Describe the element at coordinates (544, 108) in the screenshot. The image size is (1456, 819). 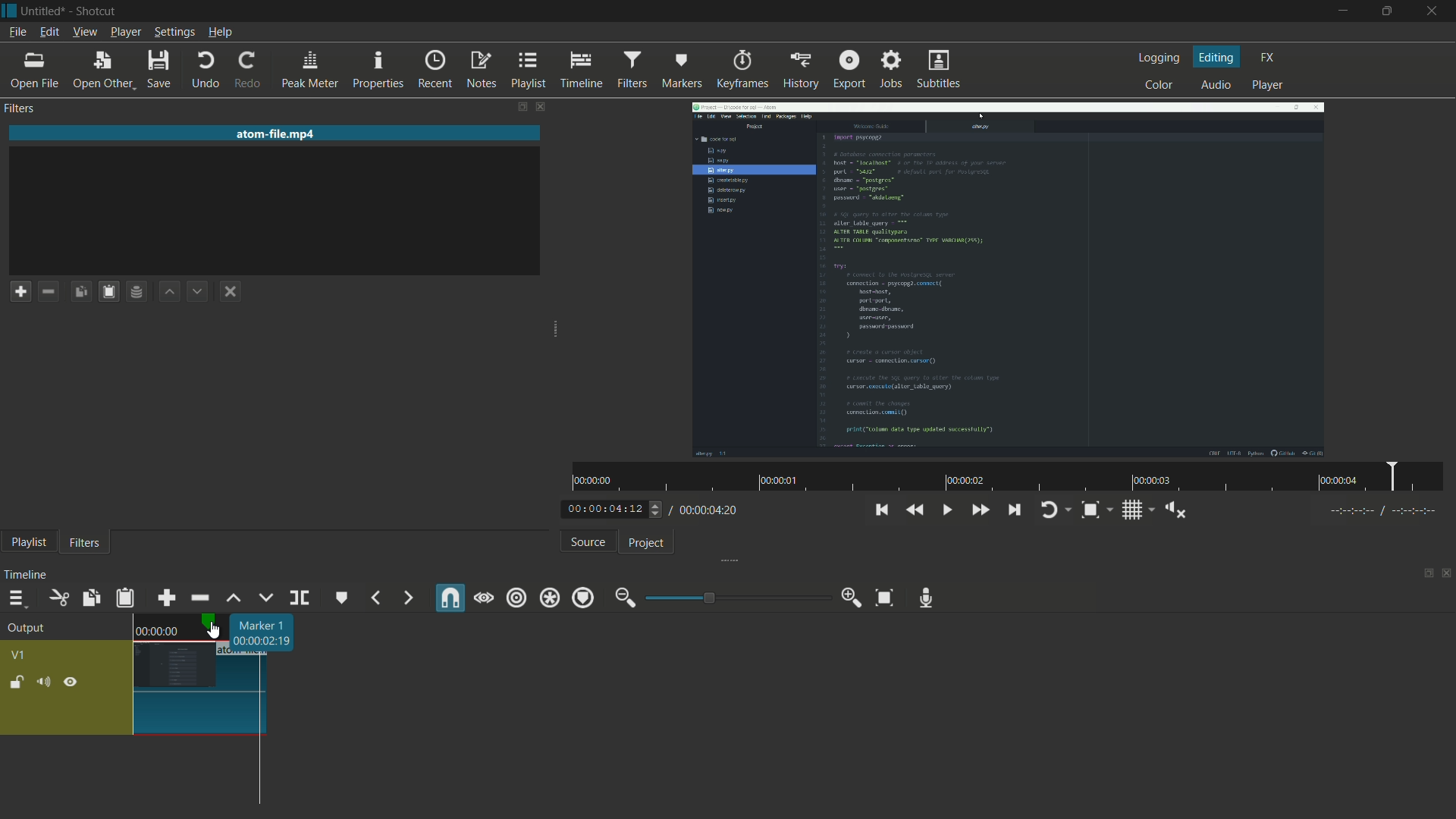
I see `close filter` at that location.